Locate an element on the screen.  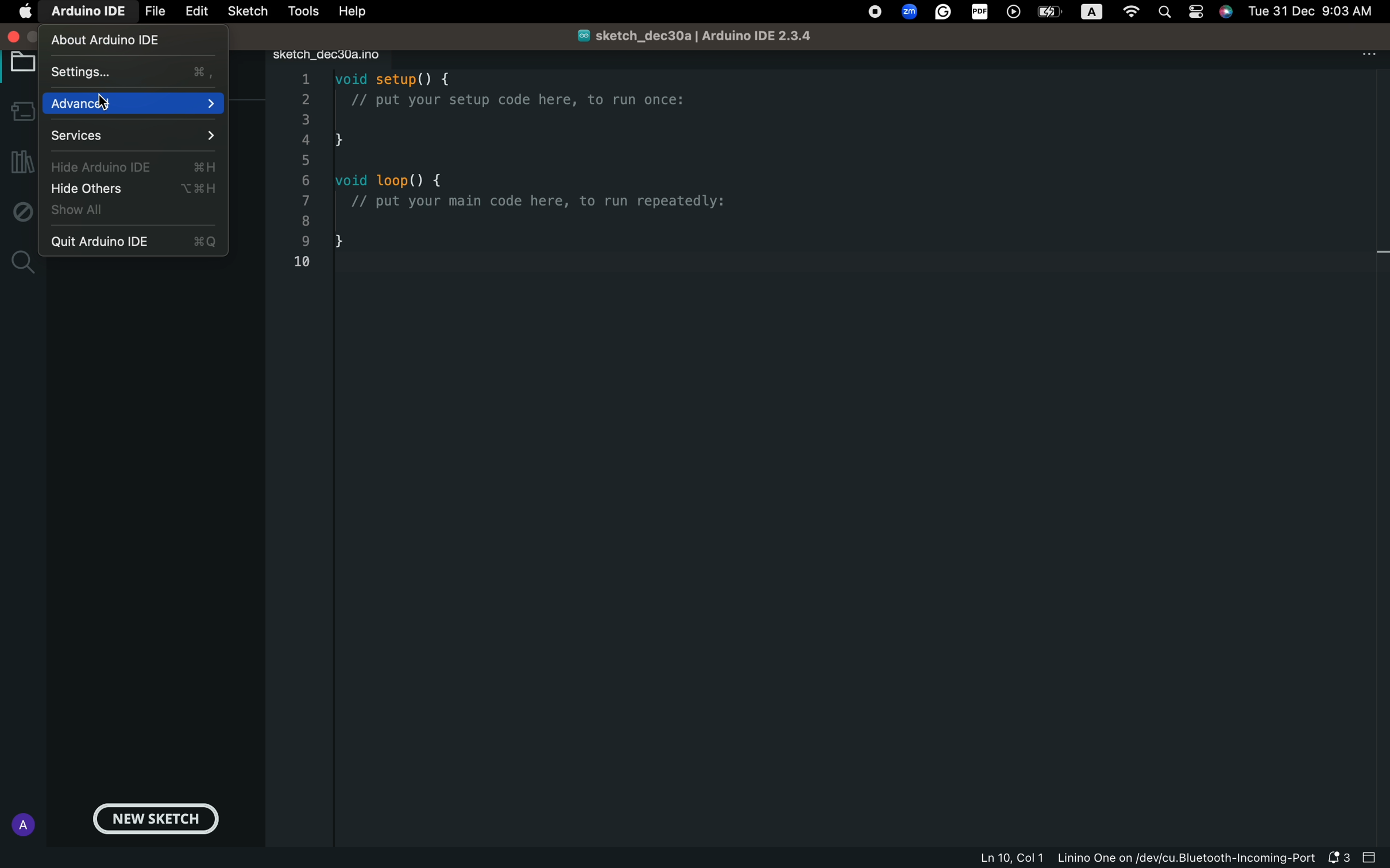
About is located at coordinates (107, 40).